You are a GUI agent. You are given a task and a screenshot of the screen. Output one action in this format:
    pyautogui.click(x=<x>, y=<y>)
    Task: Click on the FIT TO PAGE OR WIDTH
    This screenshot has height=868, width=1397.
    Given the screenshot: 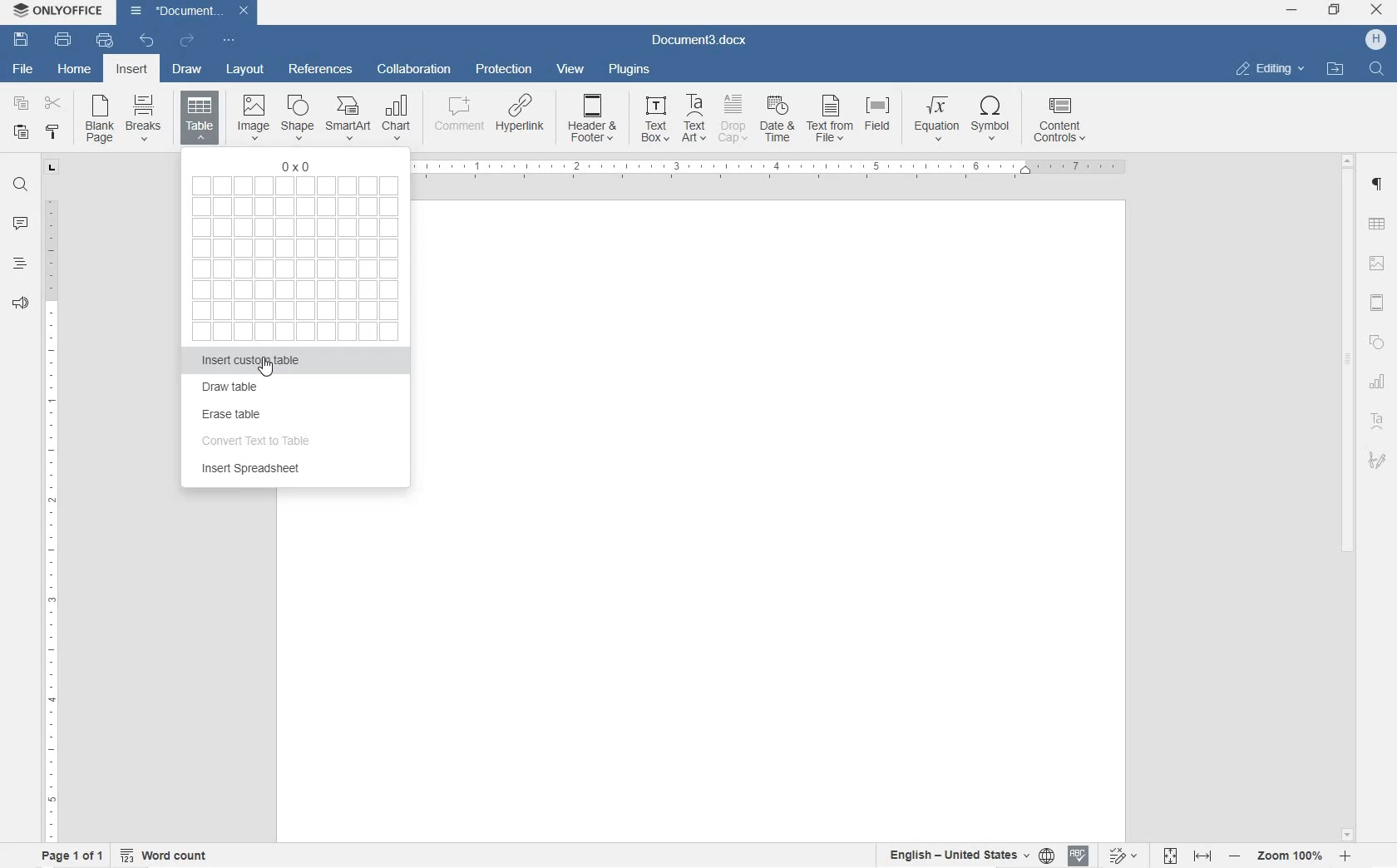 What is the action you would take?
    pyautogui.click(x=1187, y=857)
    